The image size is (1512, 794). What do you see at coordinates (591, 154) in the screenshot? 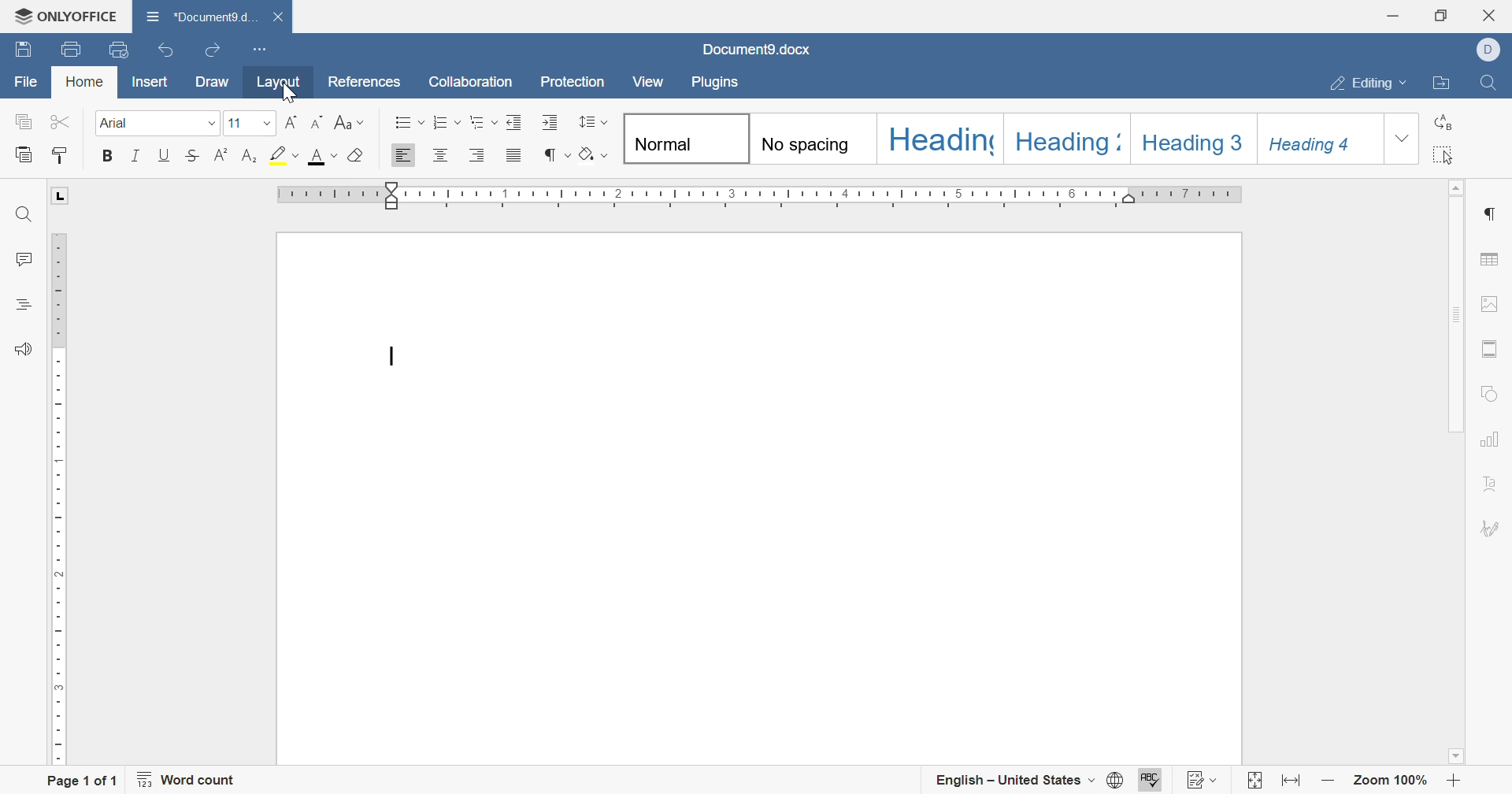
I see `highlight color` at bounding box center [591, 154].